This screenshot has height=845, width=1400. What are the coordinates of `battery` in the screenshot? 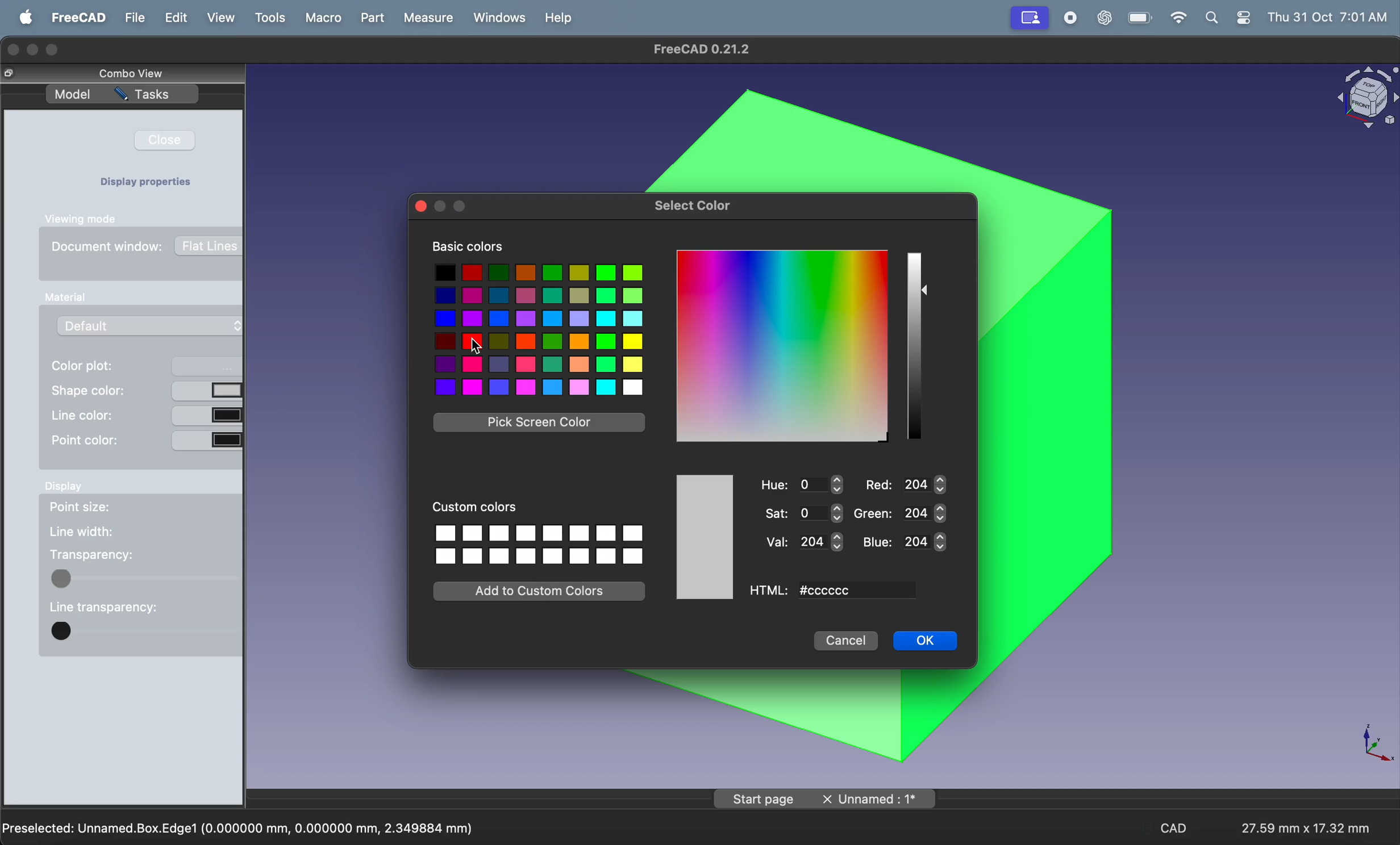 It's located at (1136, 18).